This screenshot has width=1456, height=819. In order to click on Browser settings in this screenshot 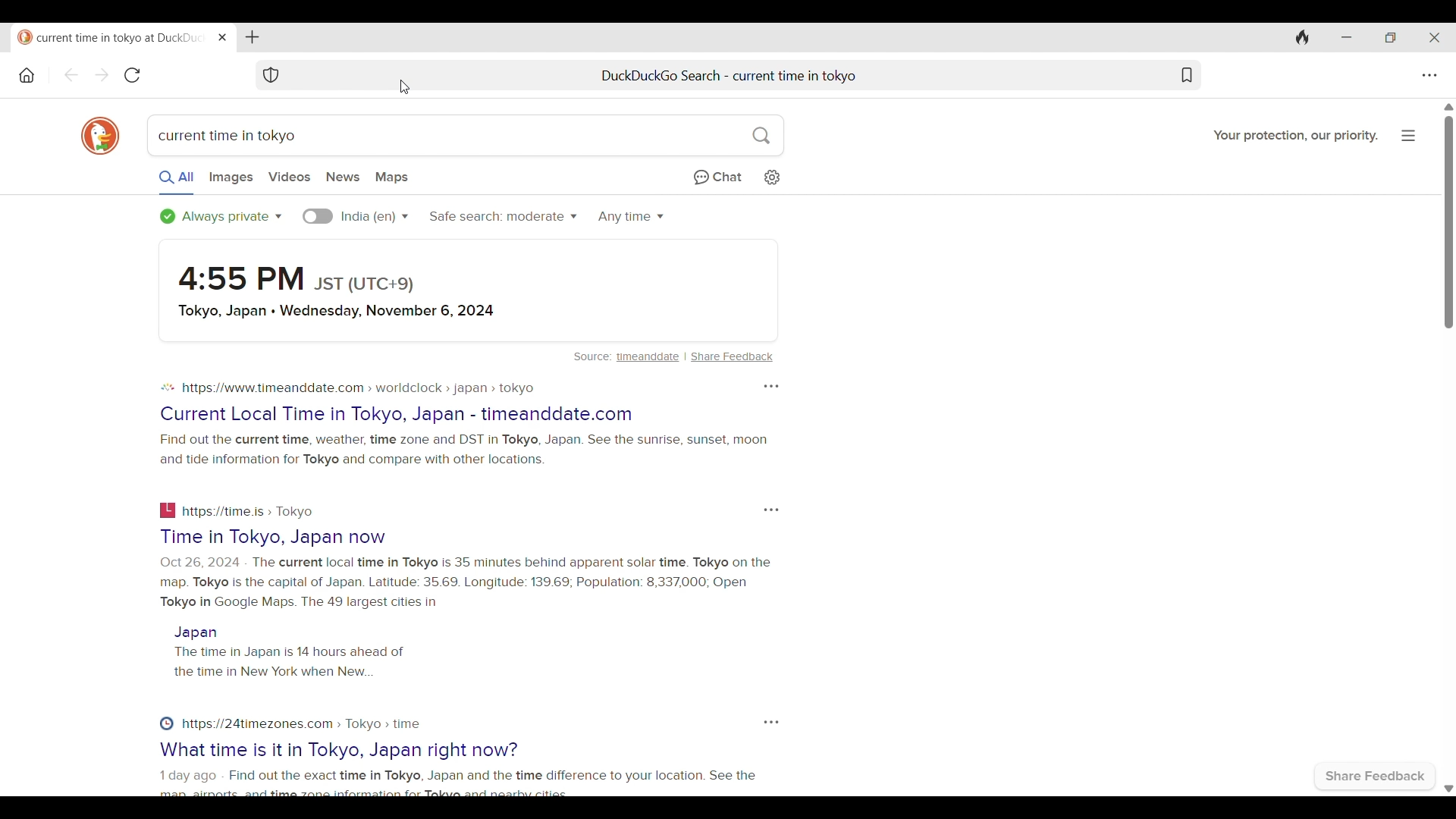, I will do `click(1429, 75)`.